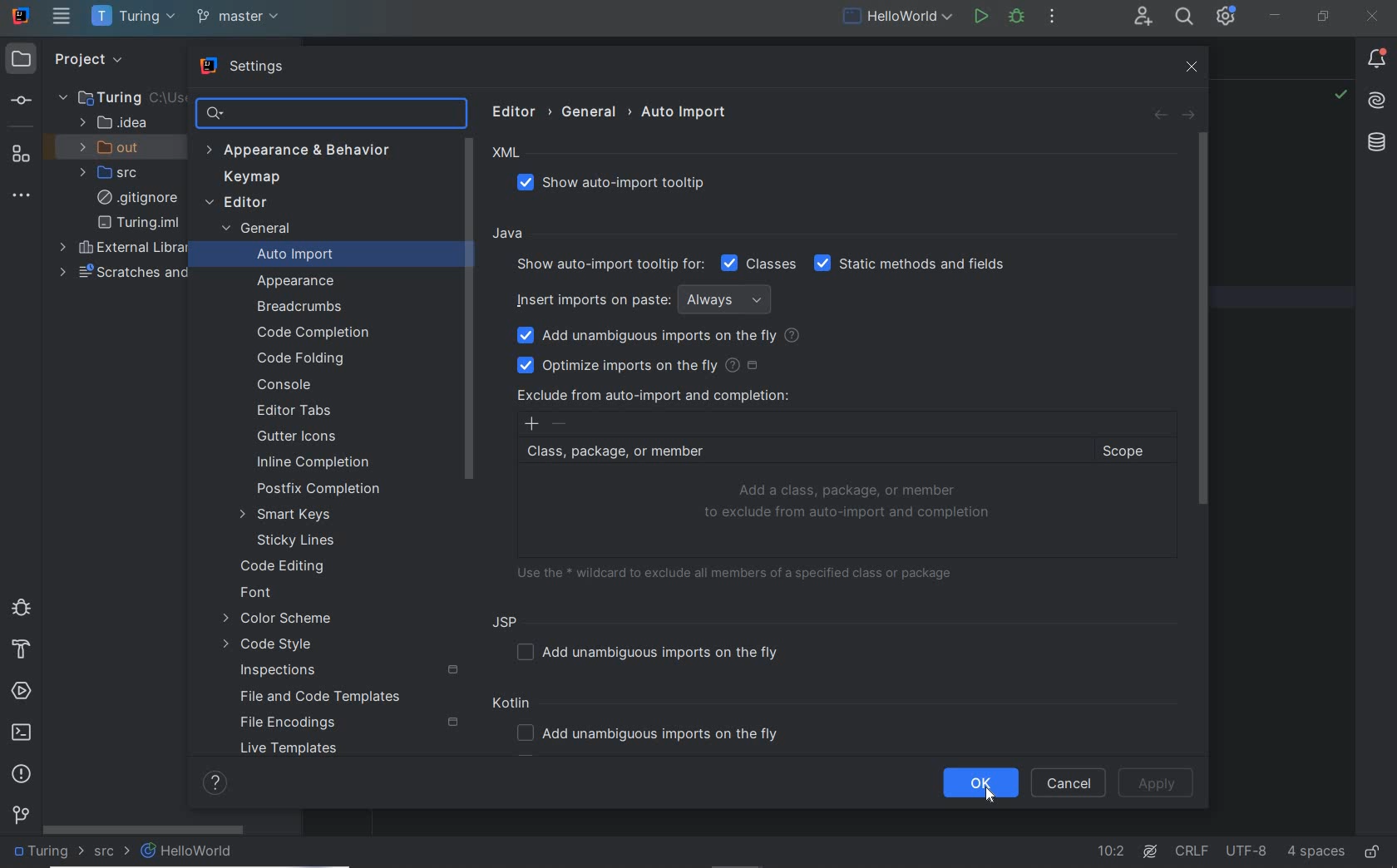  I want to click on src, so click(115, 173).